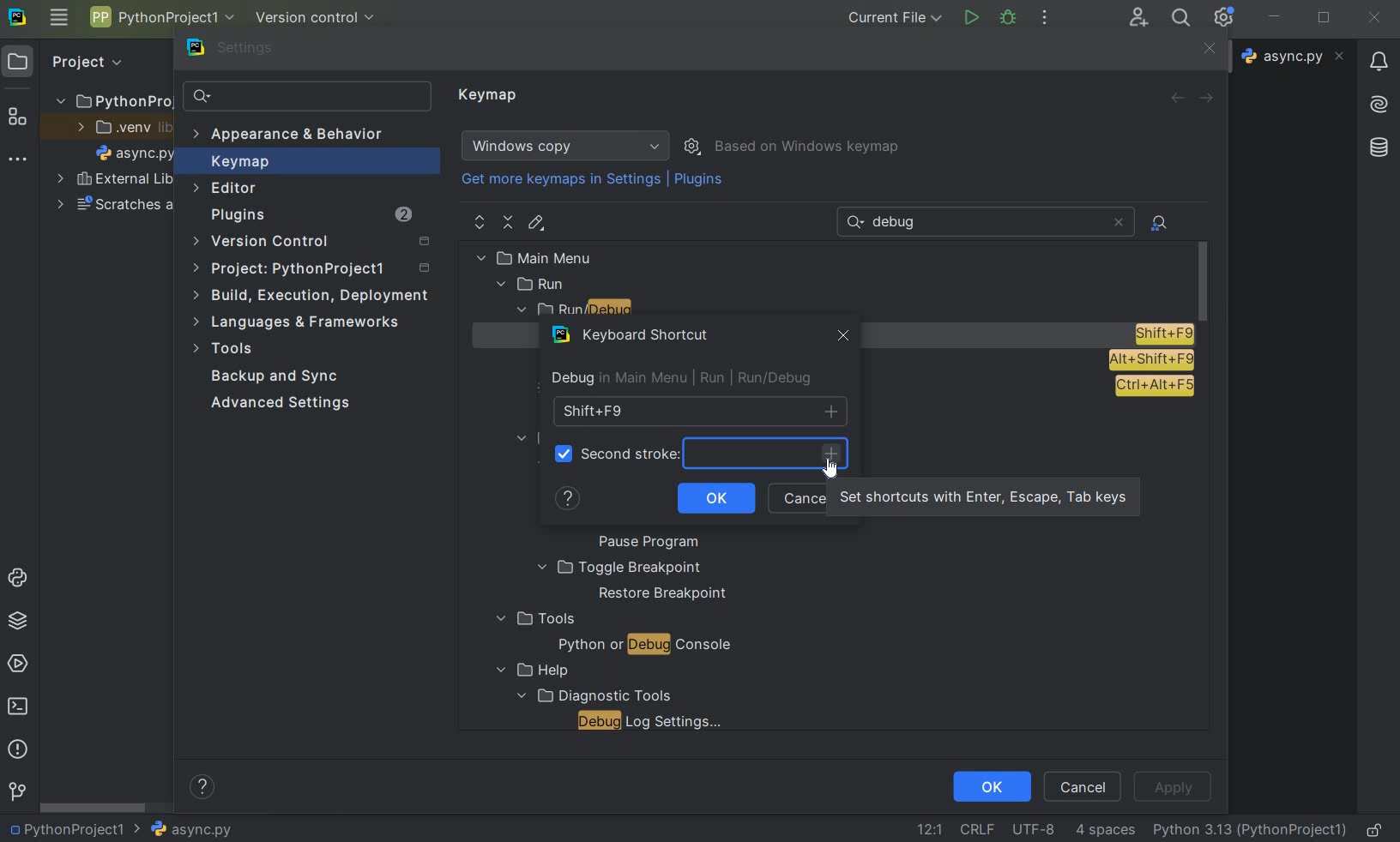 The width and height of the screenshot is (1400, 842). Describe the element at coordinates (570, 502) in the screenshot. I see `help` at that location.